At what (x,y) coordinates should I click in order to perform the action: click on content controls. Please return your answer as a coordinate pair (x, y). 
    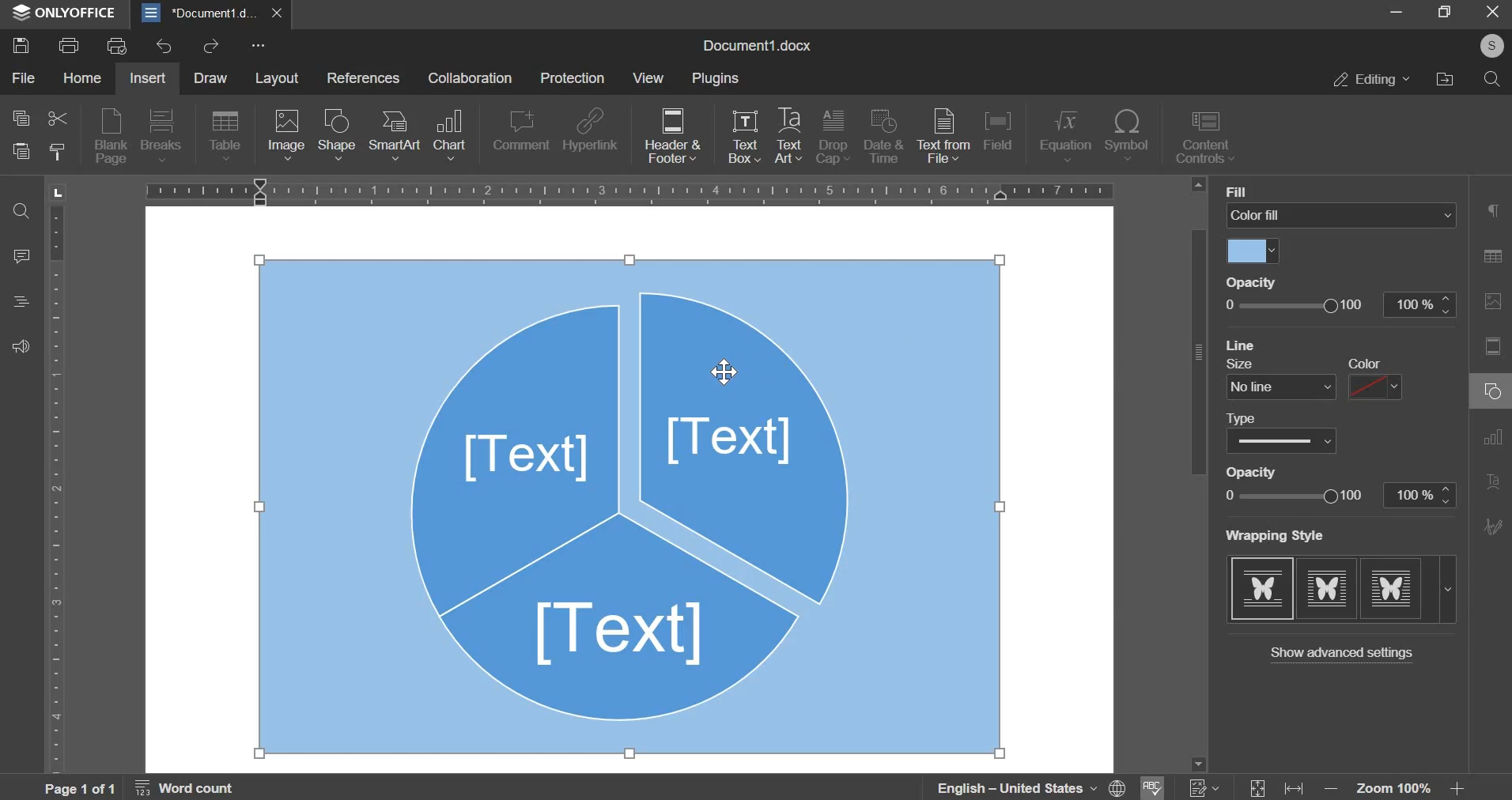
    Looking at the image, I should click on (1210, 138).